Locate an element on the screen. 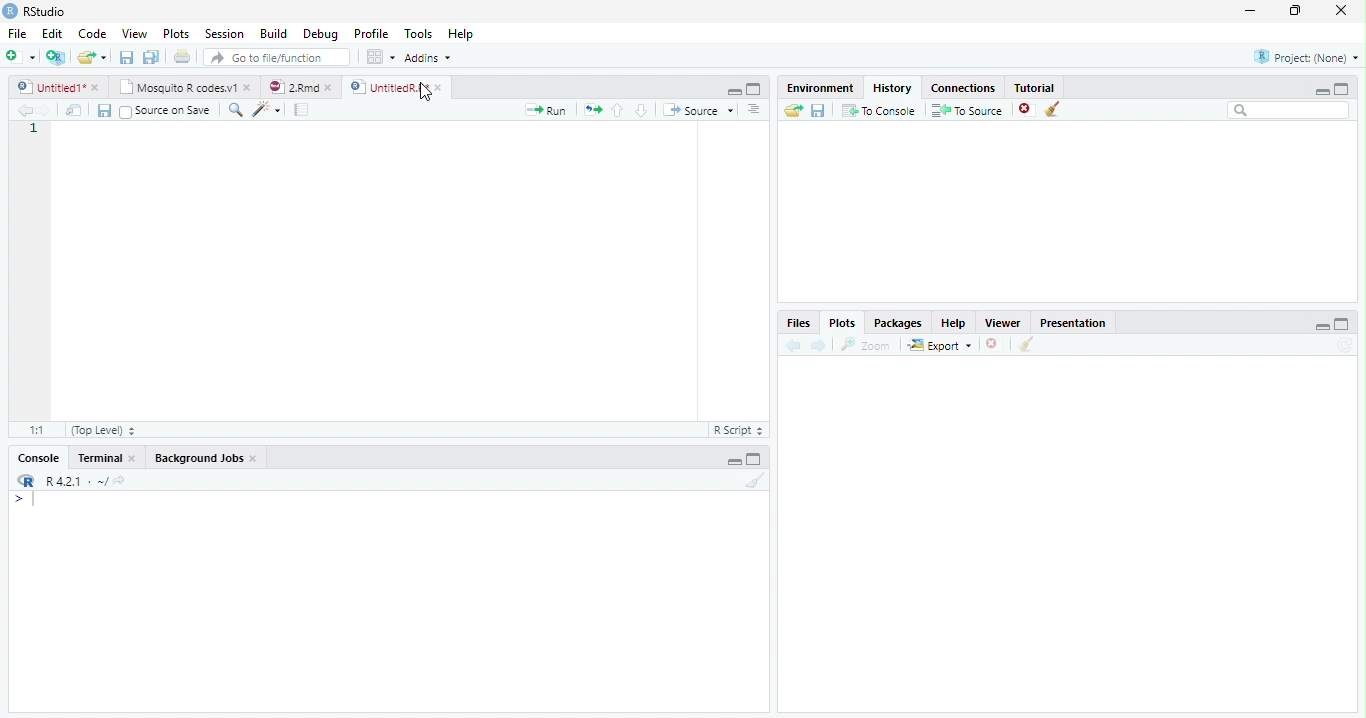  Plots is located at coordinates (176, 34).